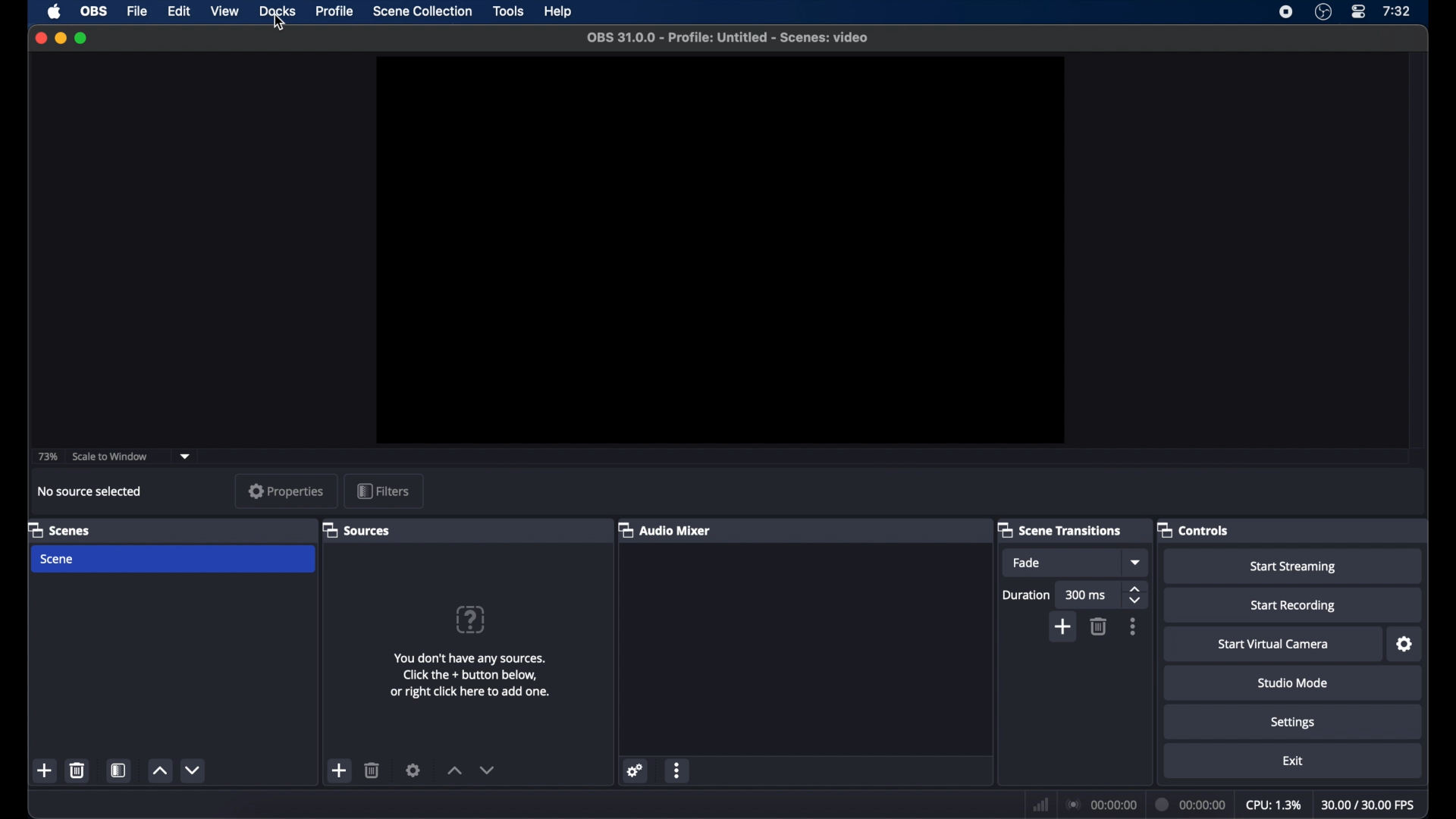 This screenshot has width=1456, height=819. What do you see at coordinates (1293, 606) in the screenshot?
I see `start recording` at bounding box center [1293, 606].